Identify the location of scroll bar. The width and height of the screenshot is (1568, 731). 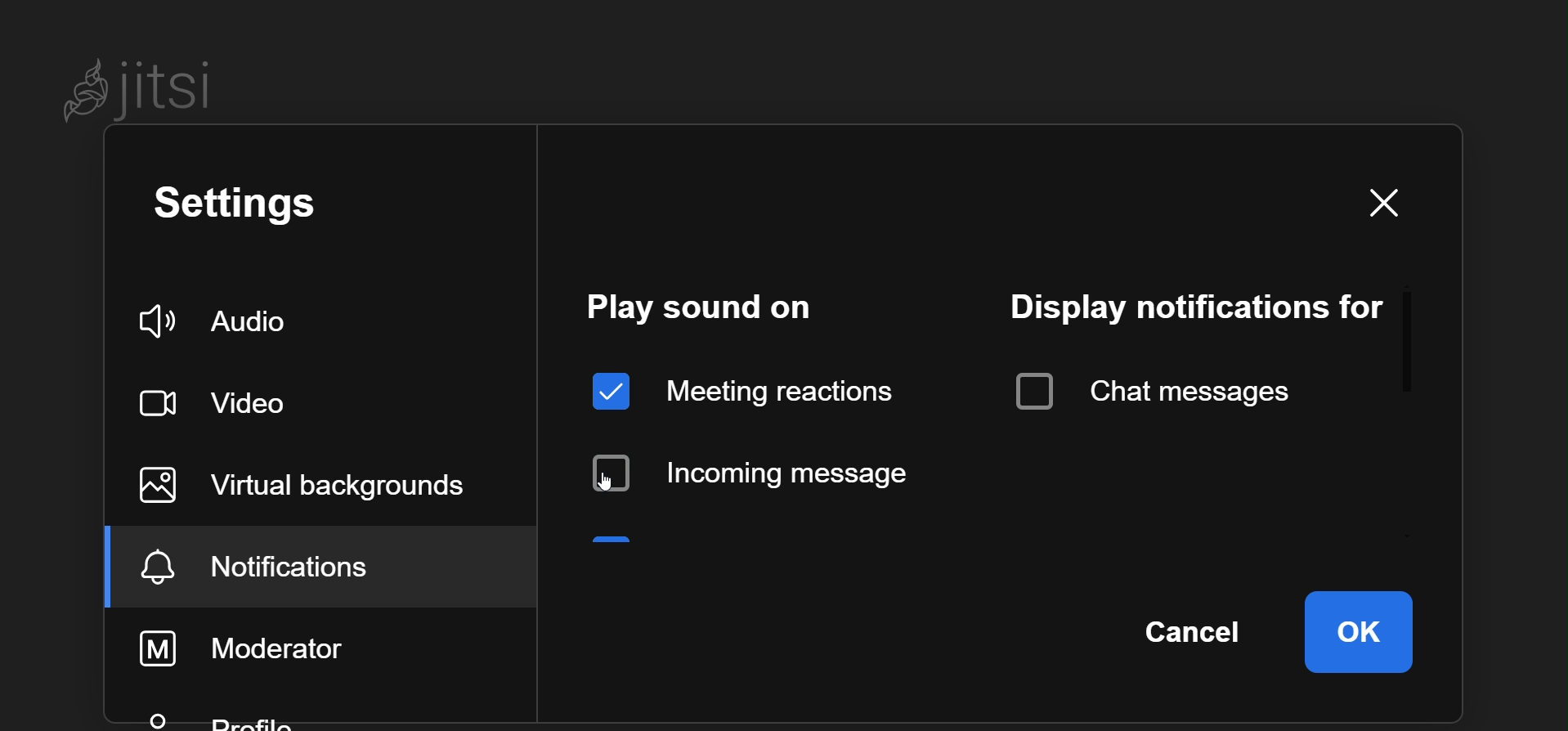
(1412, 336).